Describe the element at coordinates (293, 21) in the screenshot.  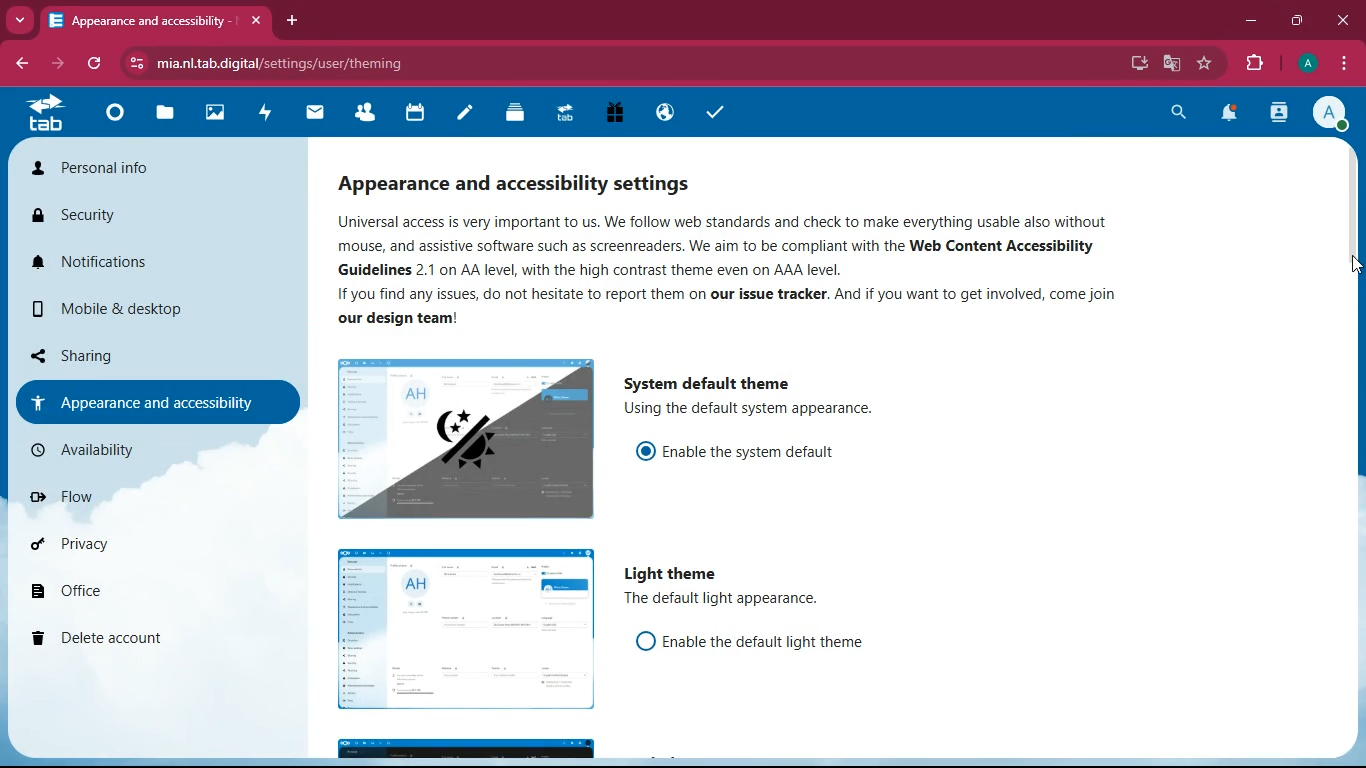
I see `add tab` at that location.